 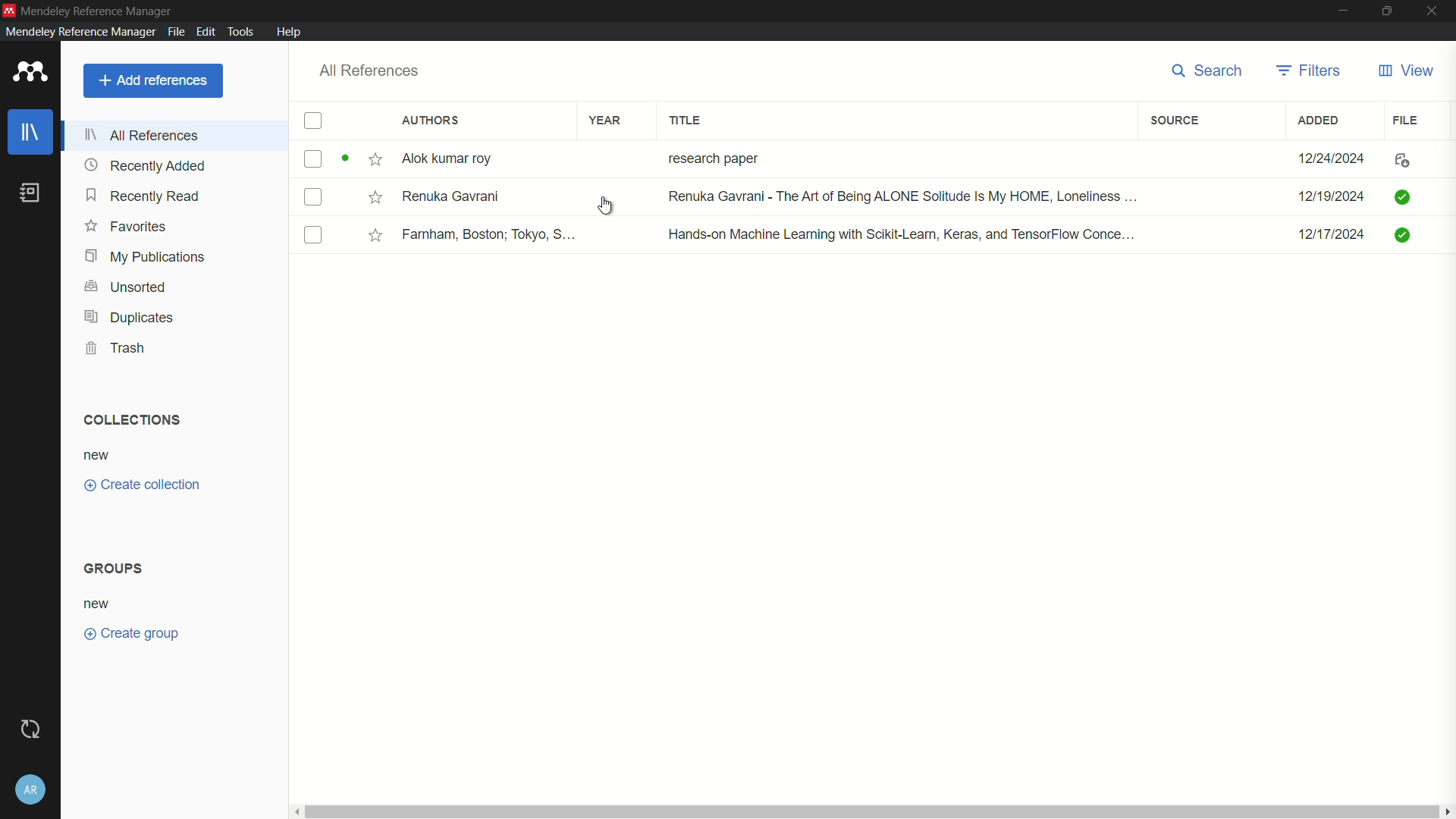 I want to click on research paper, so click(x=711, y=158).